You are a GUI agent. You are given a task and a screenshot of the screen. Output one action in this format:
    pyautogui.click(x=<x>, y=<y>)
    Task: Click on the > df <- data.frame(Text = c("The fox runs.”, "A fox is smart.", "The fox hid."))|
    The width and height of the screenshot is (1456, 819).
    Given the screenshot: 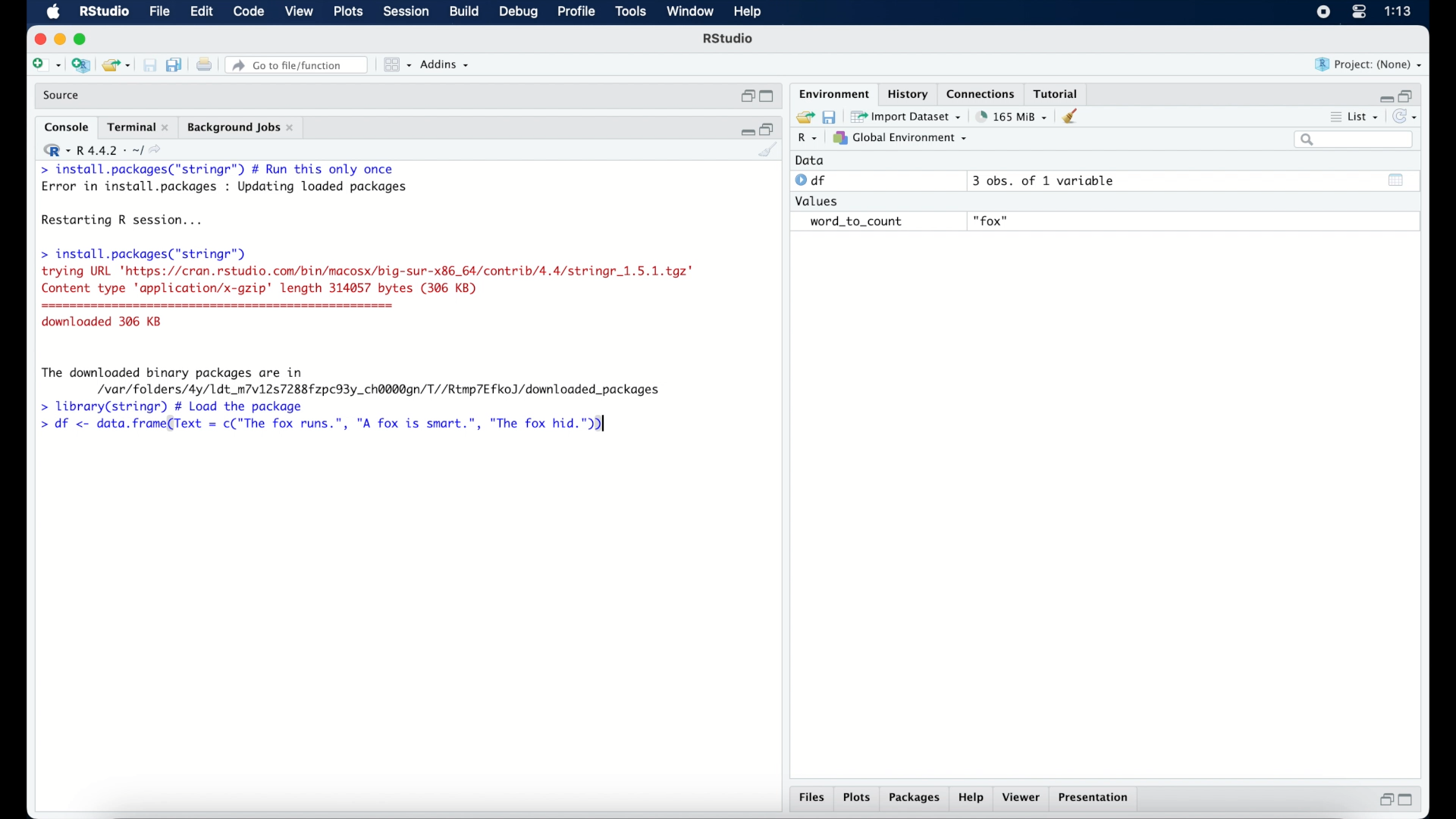 What is the action you would take?
    pyautogui.click(x=331, y=425)
    